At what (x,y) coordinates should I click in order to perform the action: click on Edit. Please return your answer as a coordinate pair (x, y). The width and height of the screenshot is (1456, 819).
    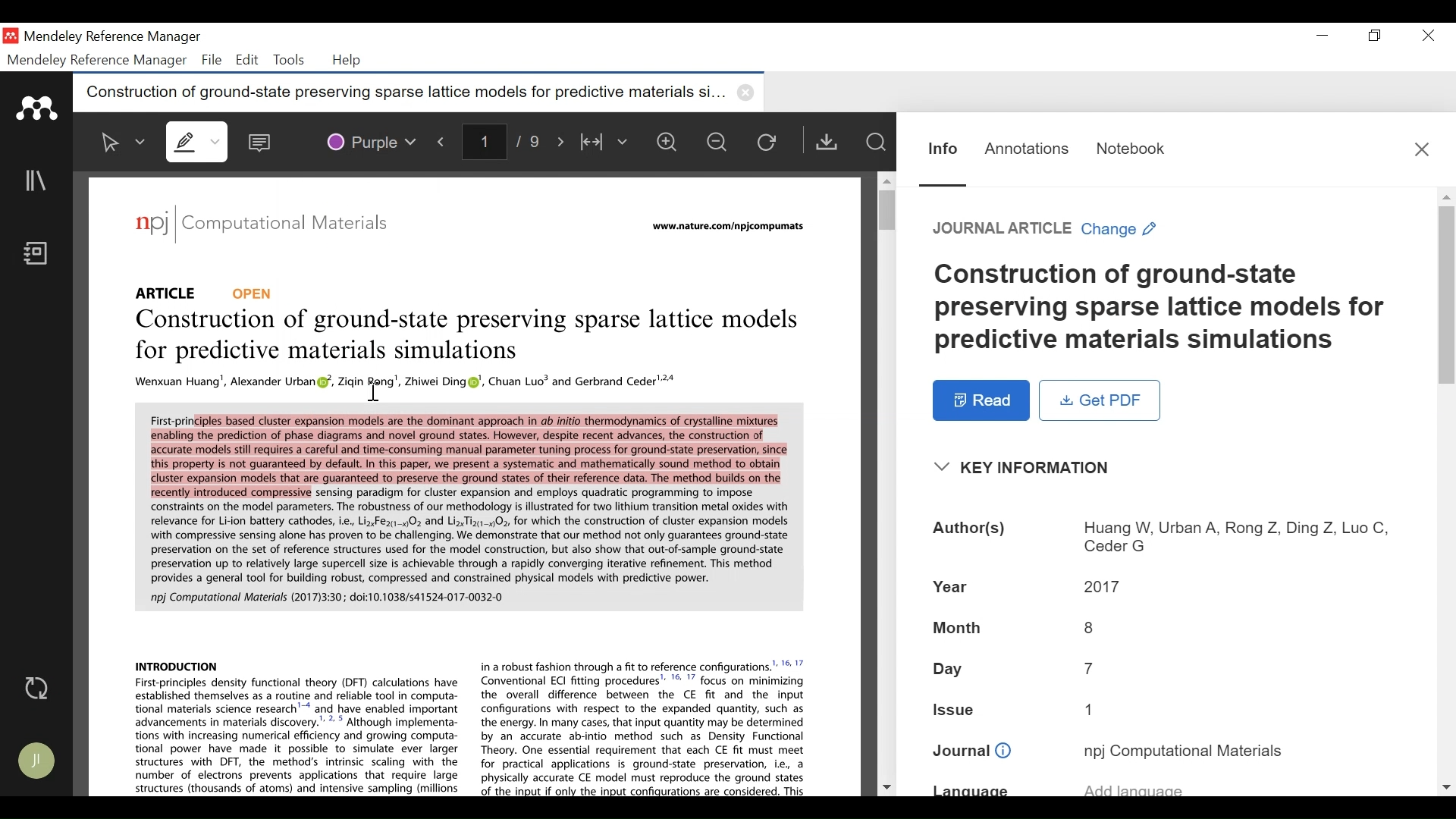
    Looking at the image, I should click on (248, 61).